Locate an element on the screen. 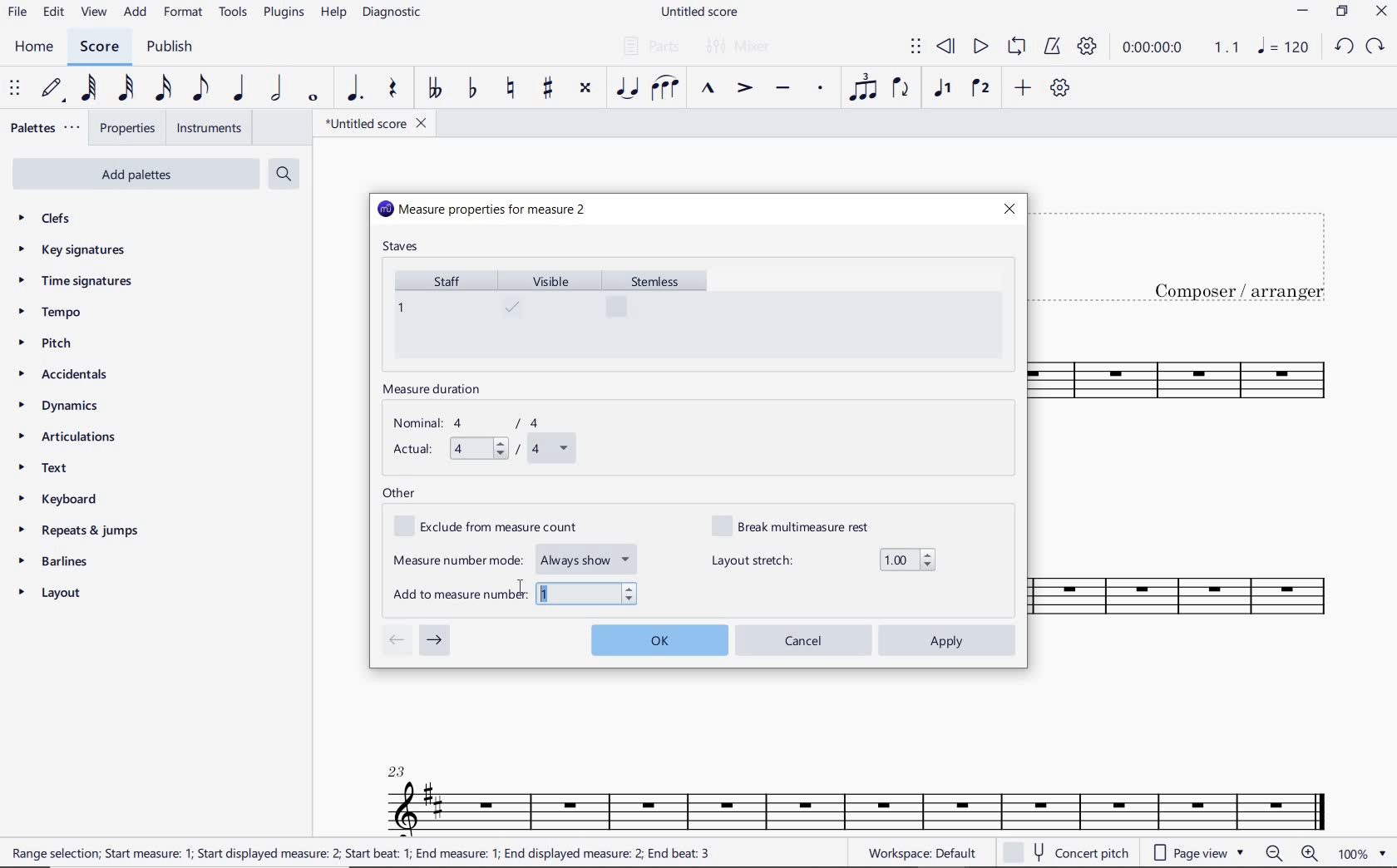 This screenshot has height=868, width=1397. MARCATO is located at coordinates (706, 90).